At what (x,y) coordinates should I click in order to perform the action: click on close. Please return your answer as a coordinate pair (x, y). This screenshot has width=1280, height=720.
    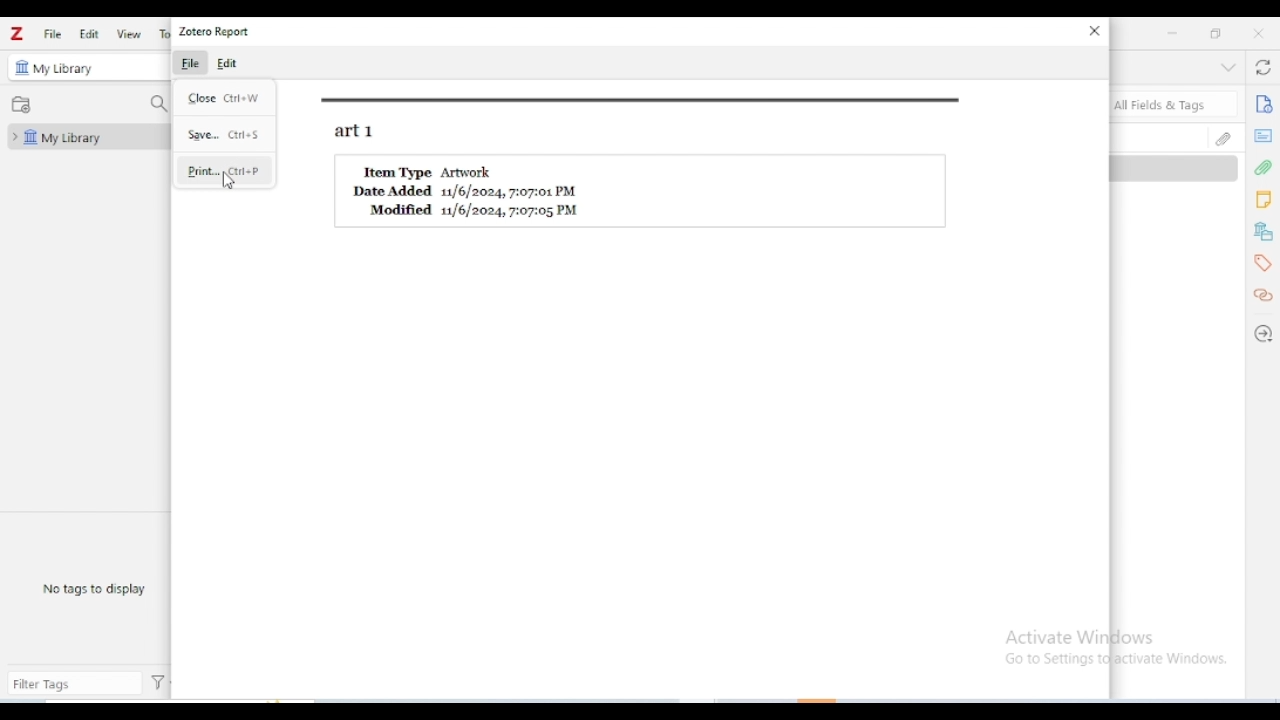
    Looking at the image, I should click on (202, 99).